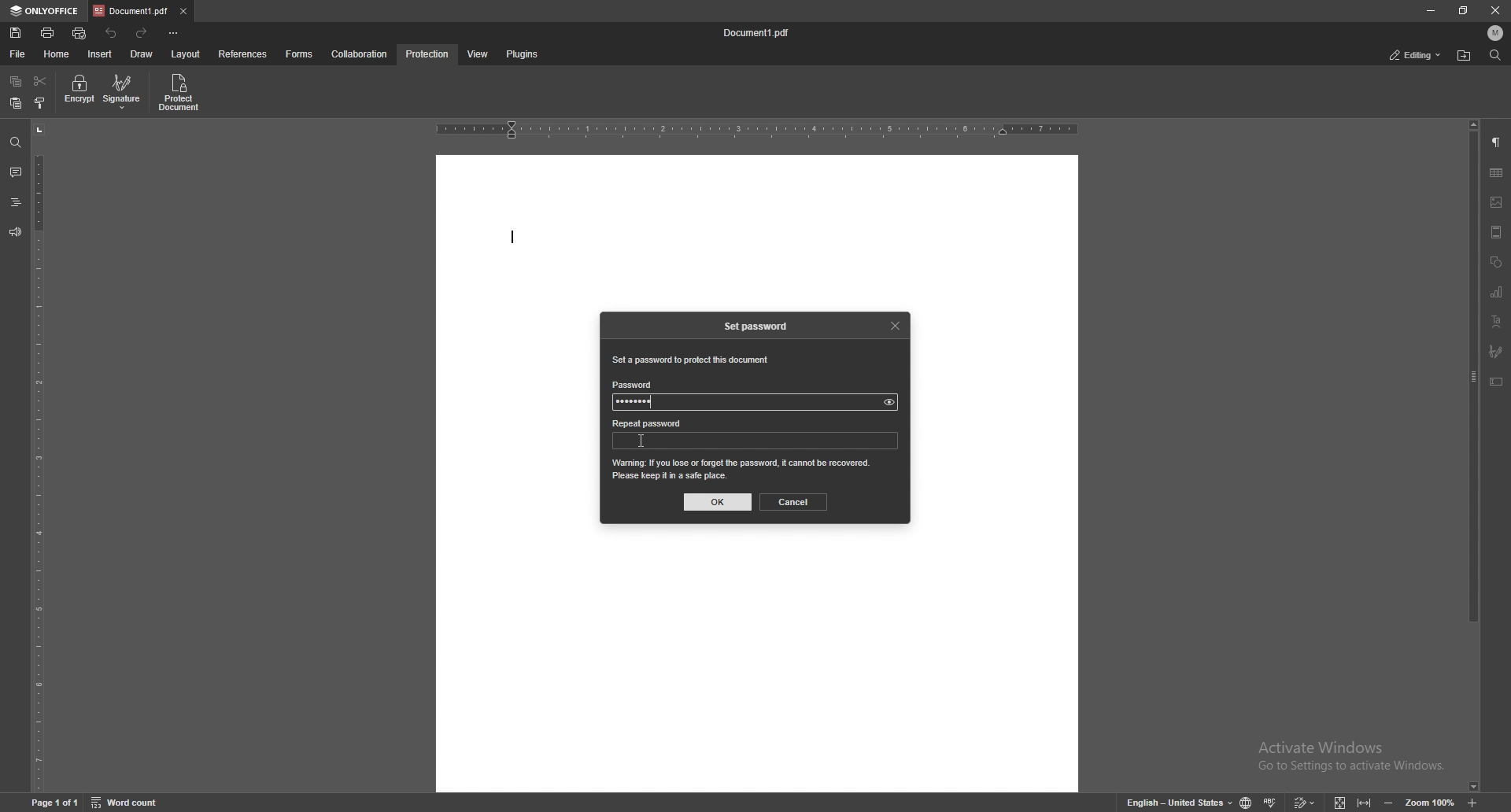 This screenshot has width=1511, height=812. What do you see at coordinates (1391, 801) in the screenshot?
I see `zoom out` at bounding box center [1391, 801].